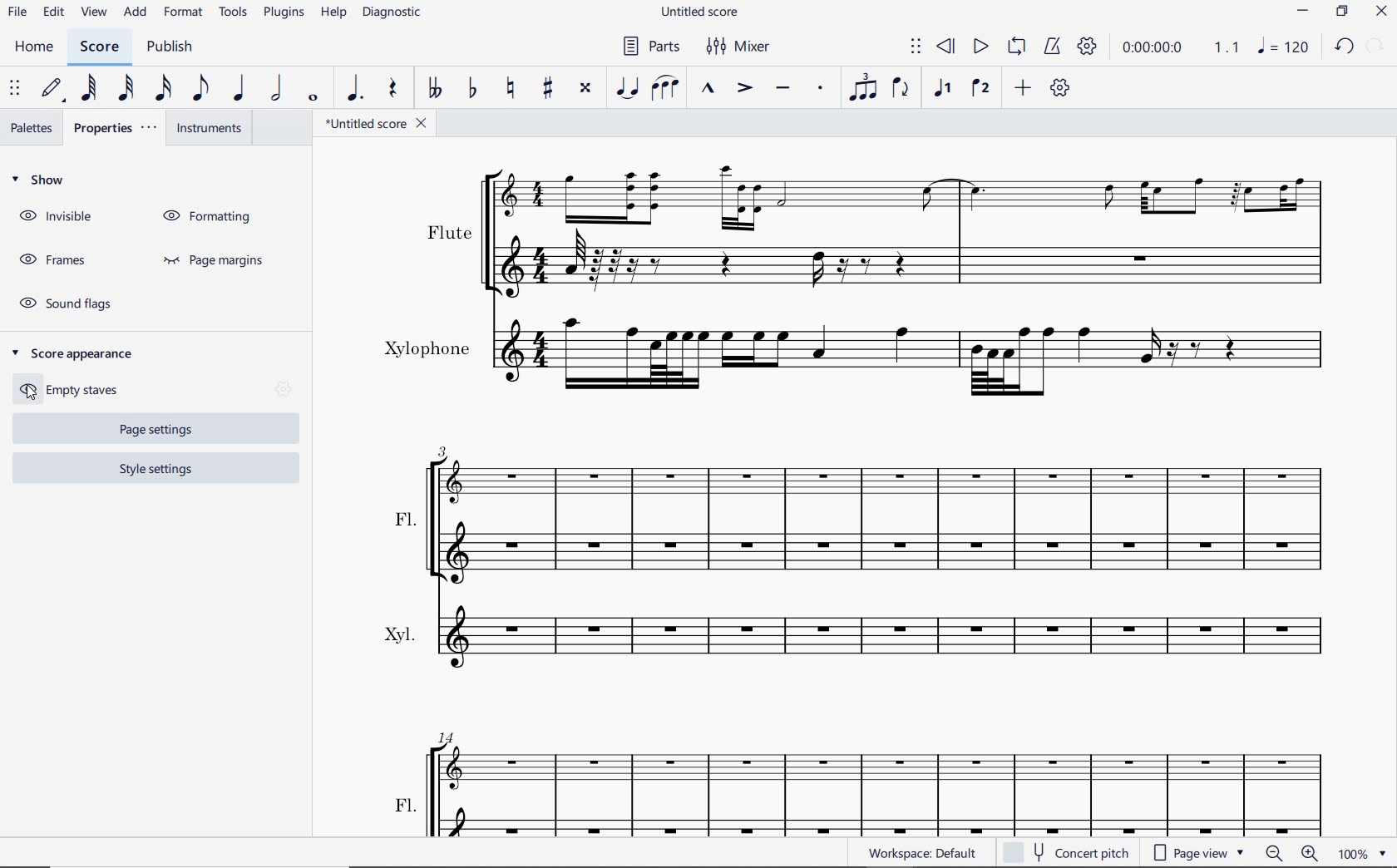 The width and height of the screenshot is (1397, 868). Describe the element at coordinates (746, 88) in the screenshot. I see `ACCENT` at that location.